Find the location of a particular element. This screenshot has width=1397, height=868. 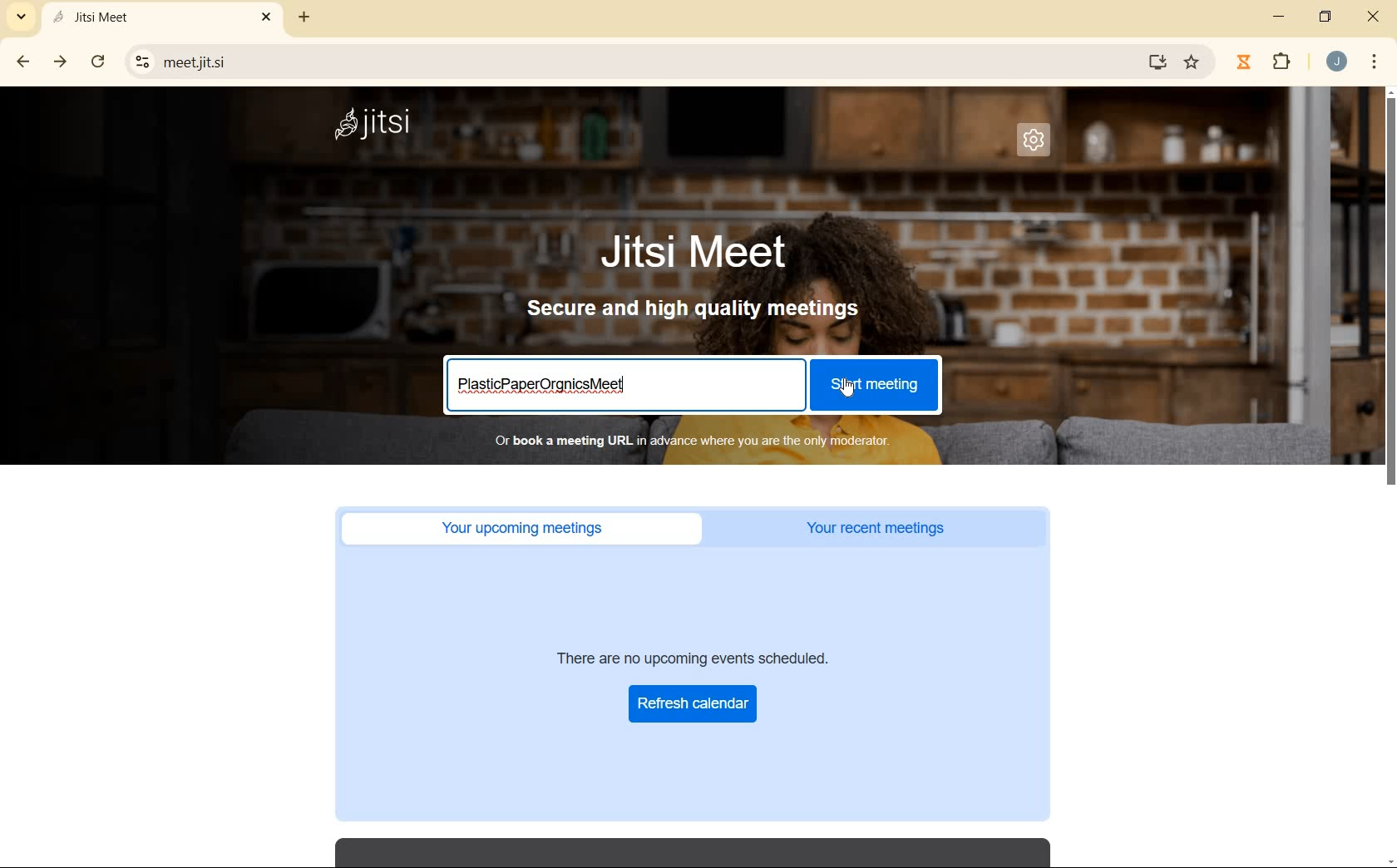

cursor is located at coordinates (847, 390).